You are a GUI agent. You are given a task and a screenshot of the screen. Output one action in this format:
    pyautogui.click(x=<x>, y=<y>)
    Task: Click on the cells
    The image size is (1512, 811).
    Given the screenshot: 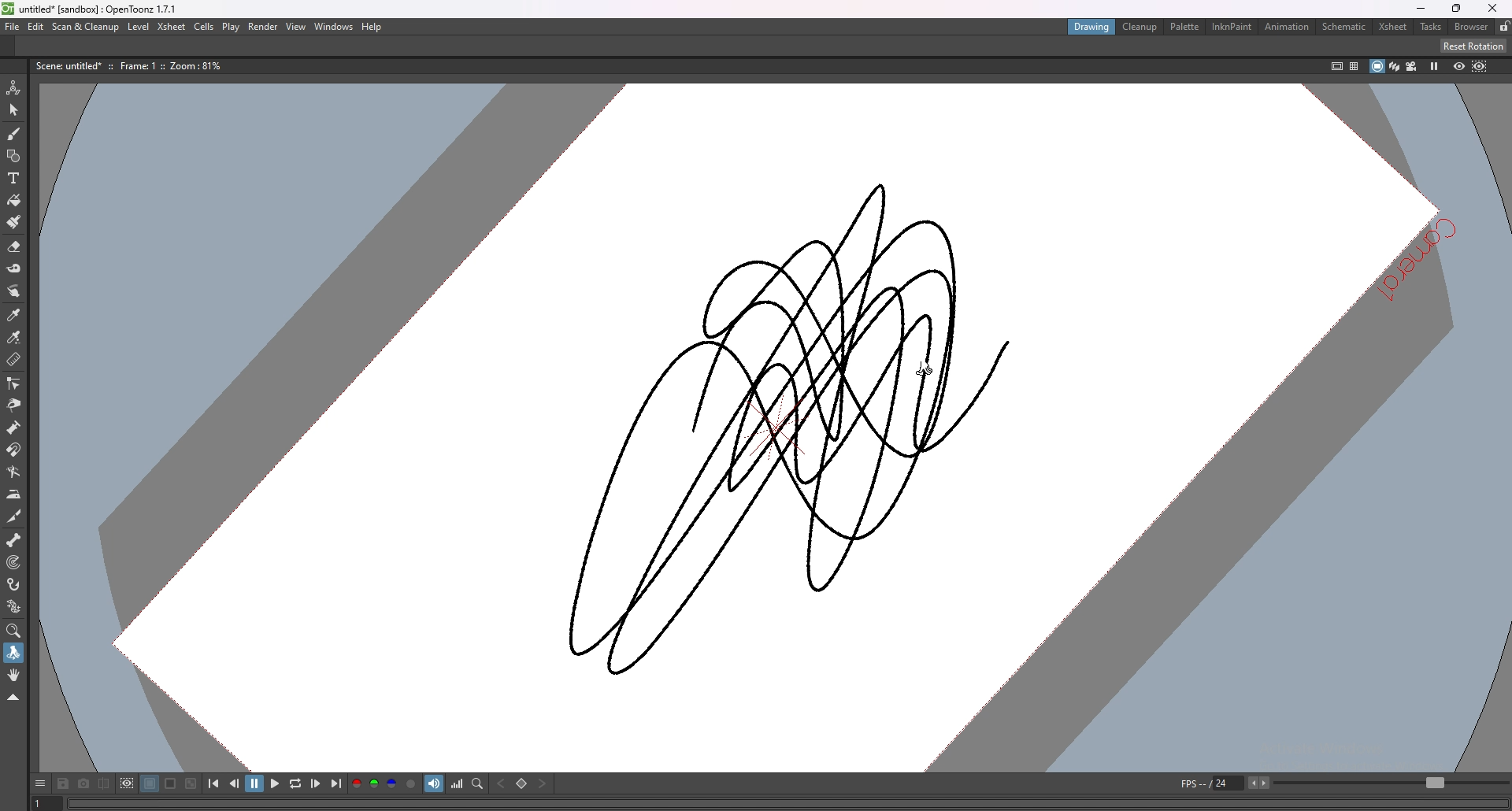 What is the action you would take?
    pyautogui.click(x=205, y=26)
    